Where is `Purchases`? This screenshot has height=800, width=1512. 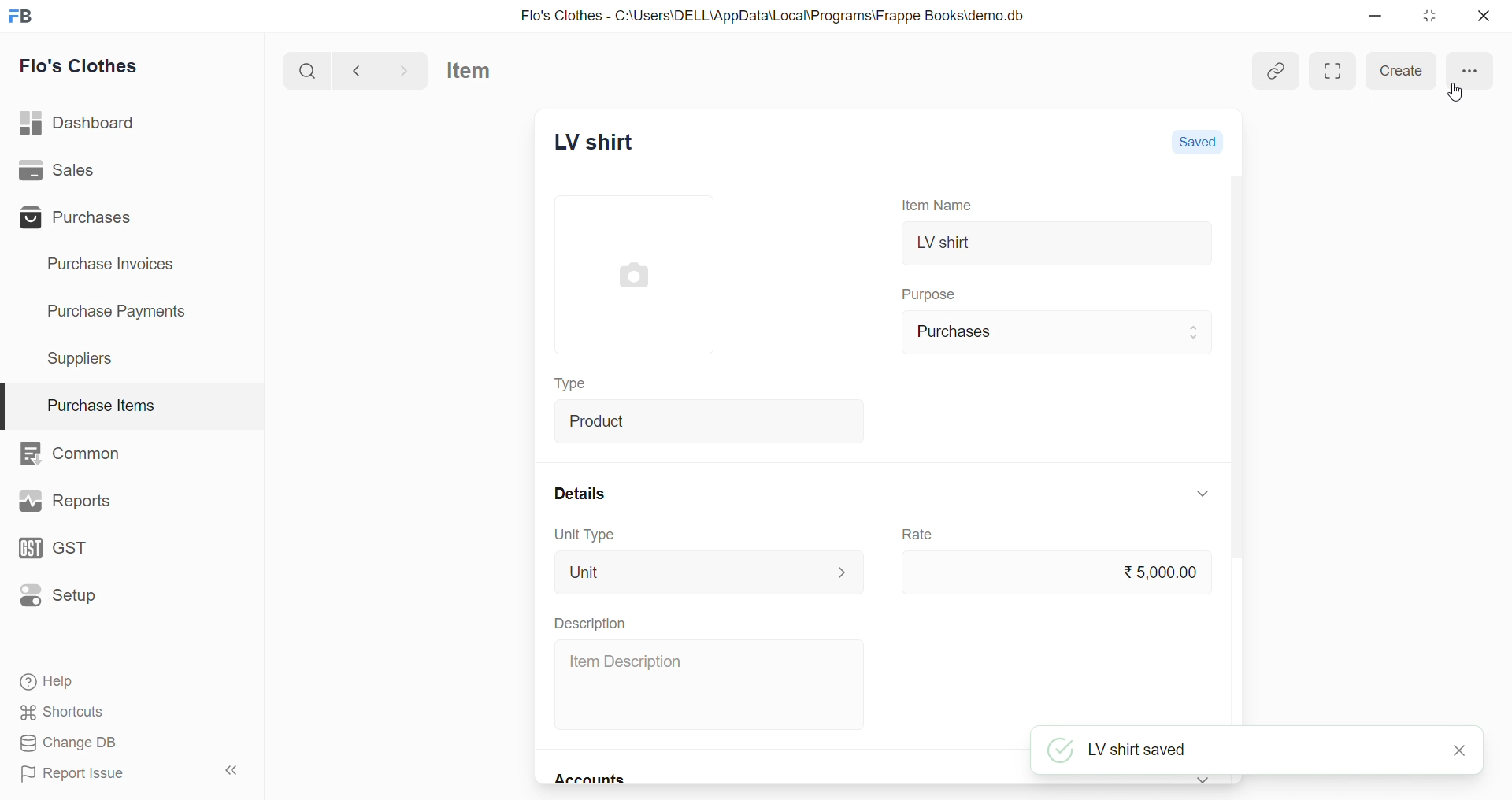 Purchases is located at coordinates (1058, 332).